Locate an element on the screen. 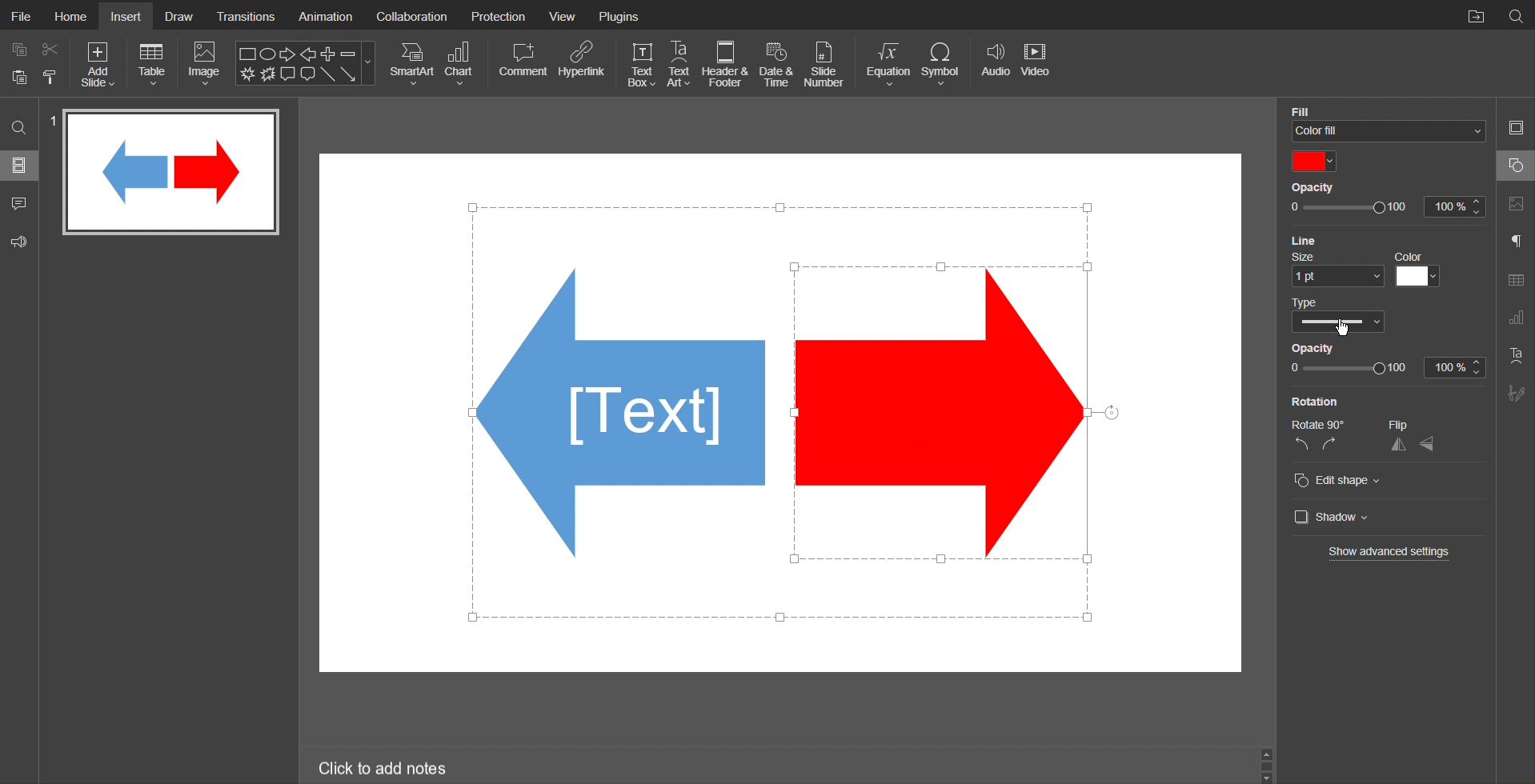 The width and height of the screenshot is (1535, 784). Hyperlink is located at coordinates (582, 65).